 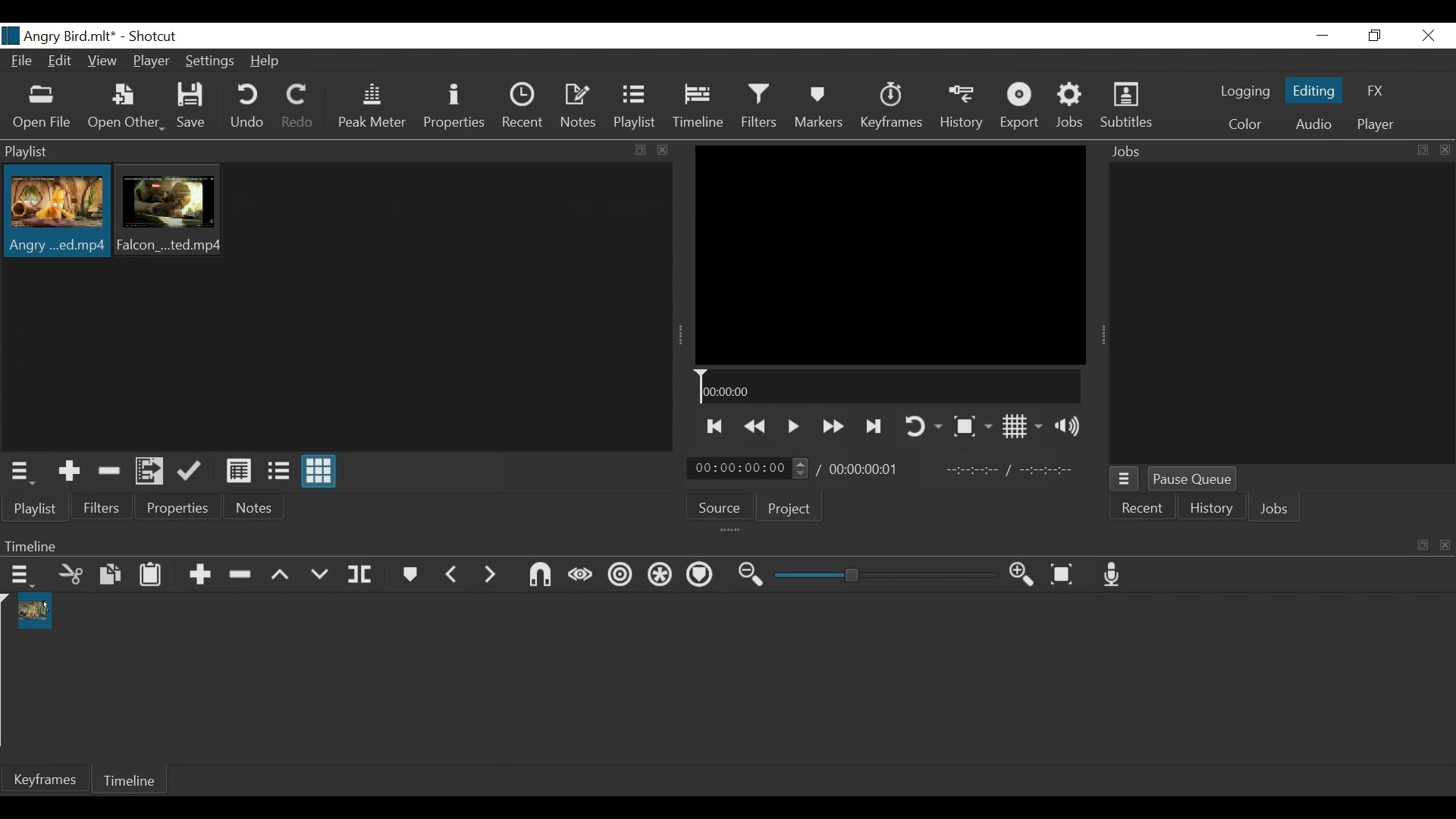 I want to click on Jobs, so click(x=1272, y=508).